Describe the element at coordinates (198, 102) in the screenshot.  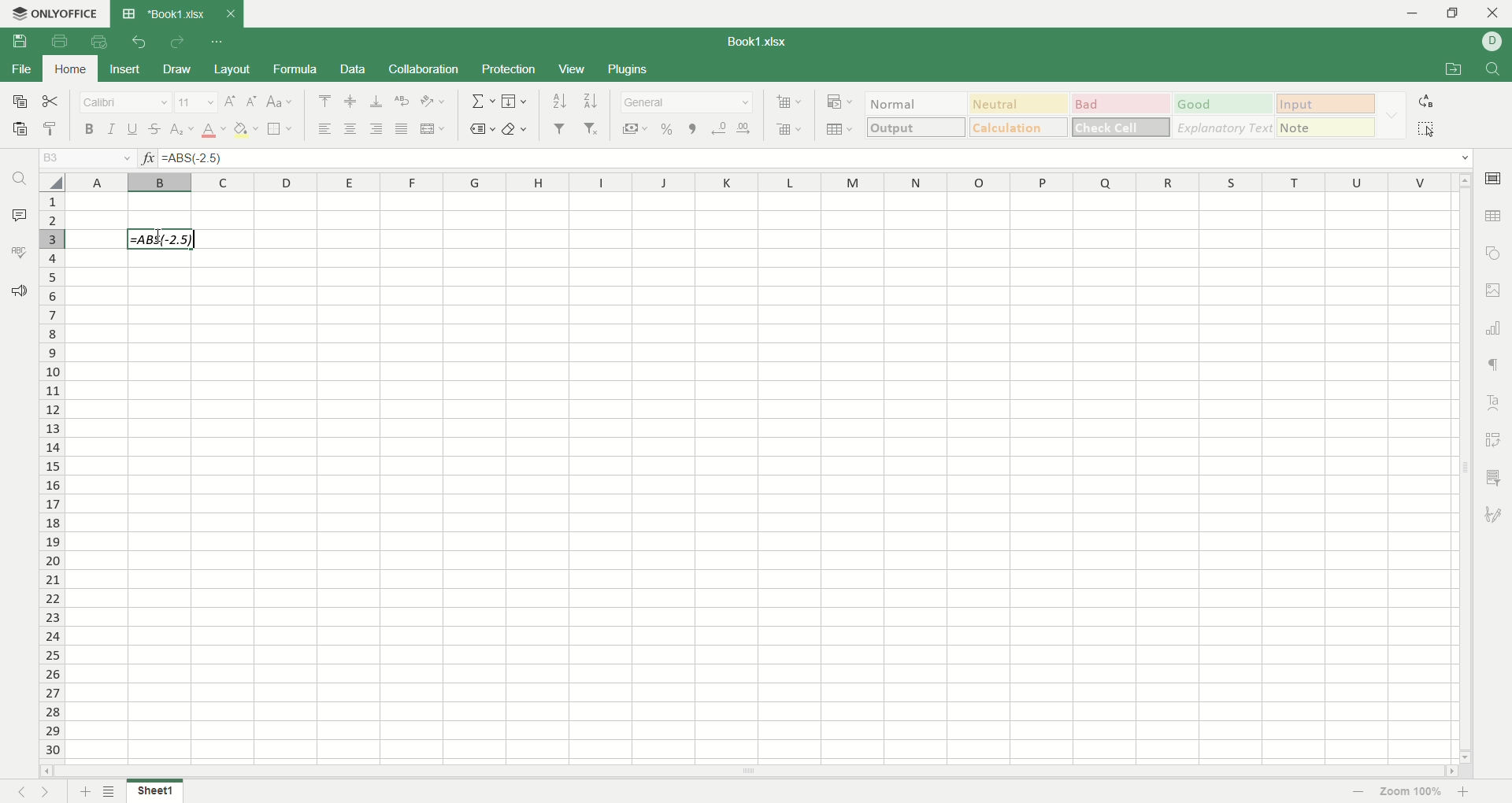
I see `font size` at that location.